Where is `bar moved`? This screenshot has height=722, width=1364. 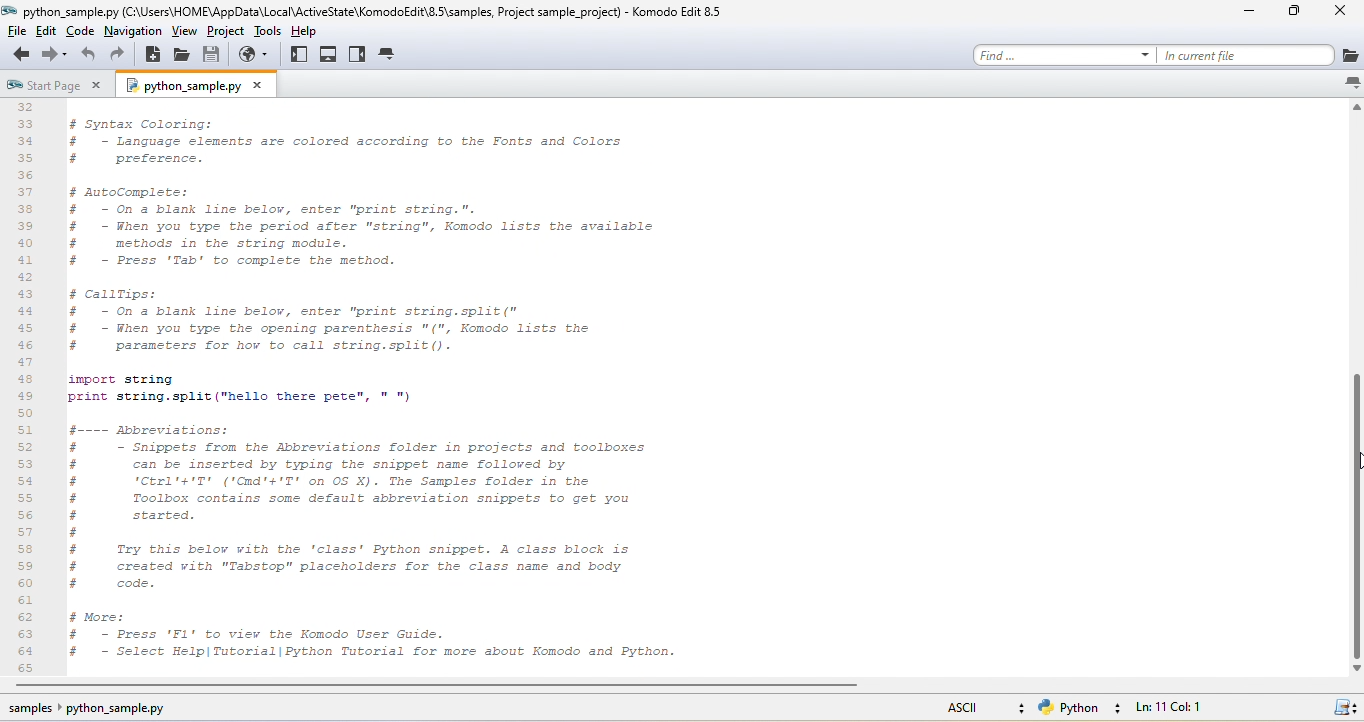 bar moved is located at coordinates (1355, 516).